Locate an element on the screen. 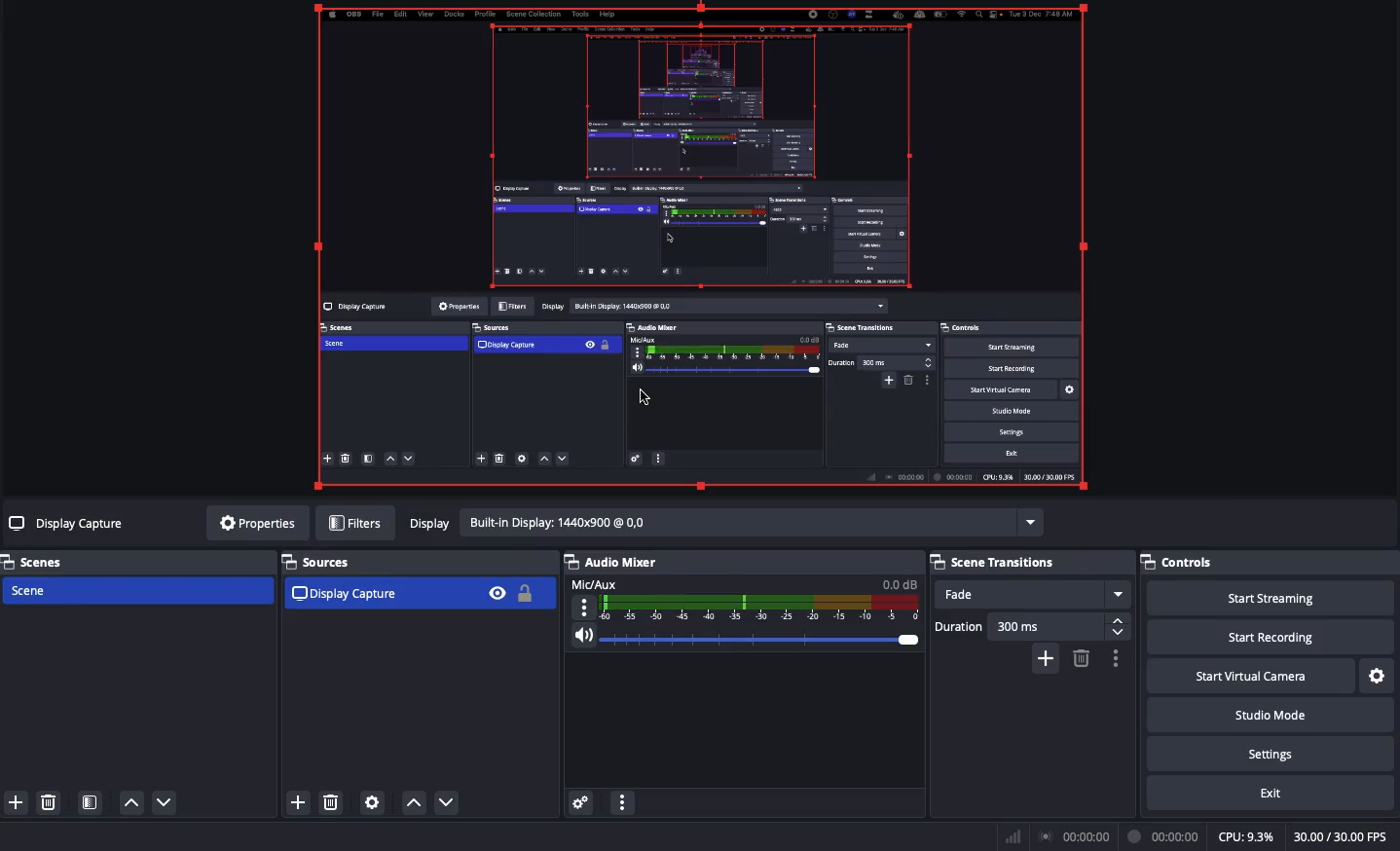 The width and height of the screenshot is (1400, 851). Start streaming is located at coordinates (1272, 599).